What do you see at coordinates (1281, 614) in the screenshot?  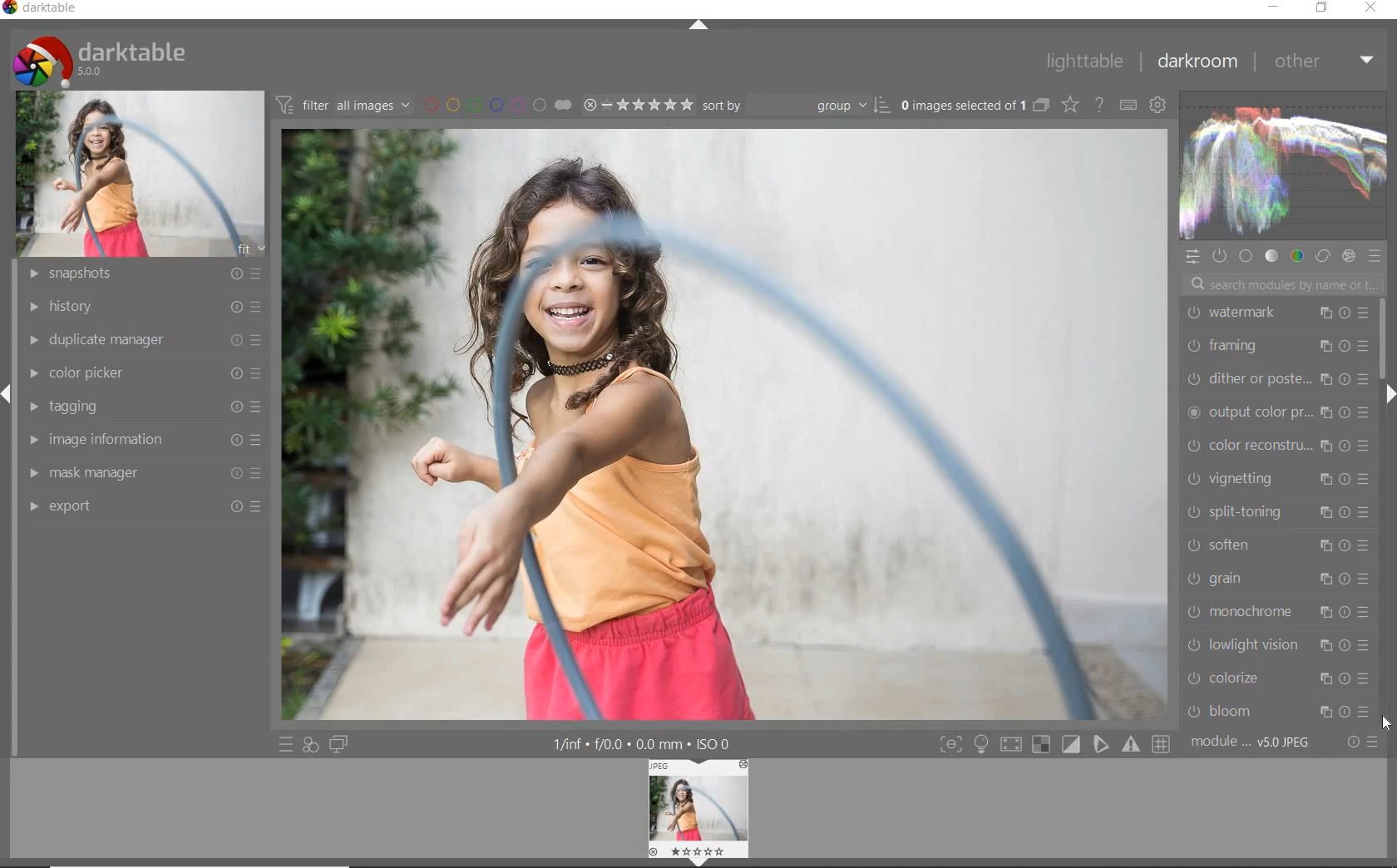 I see `monochrome` at bounding box center [1281, 614].